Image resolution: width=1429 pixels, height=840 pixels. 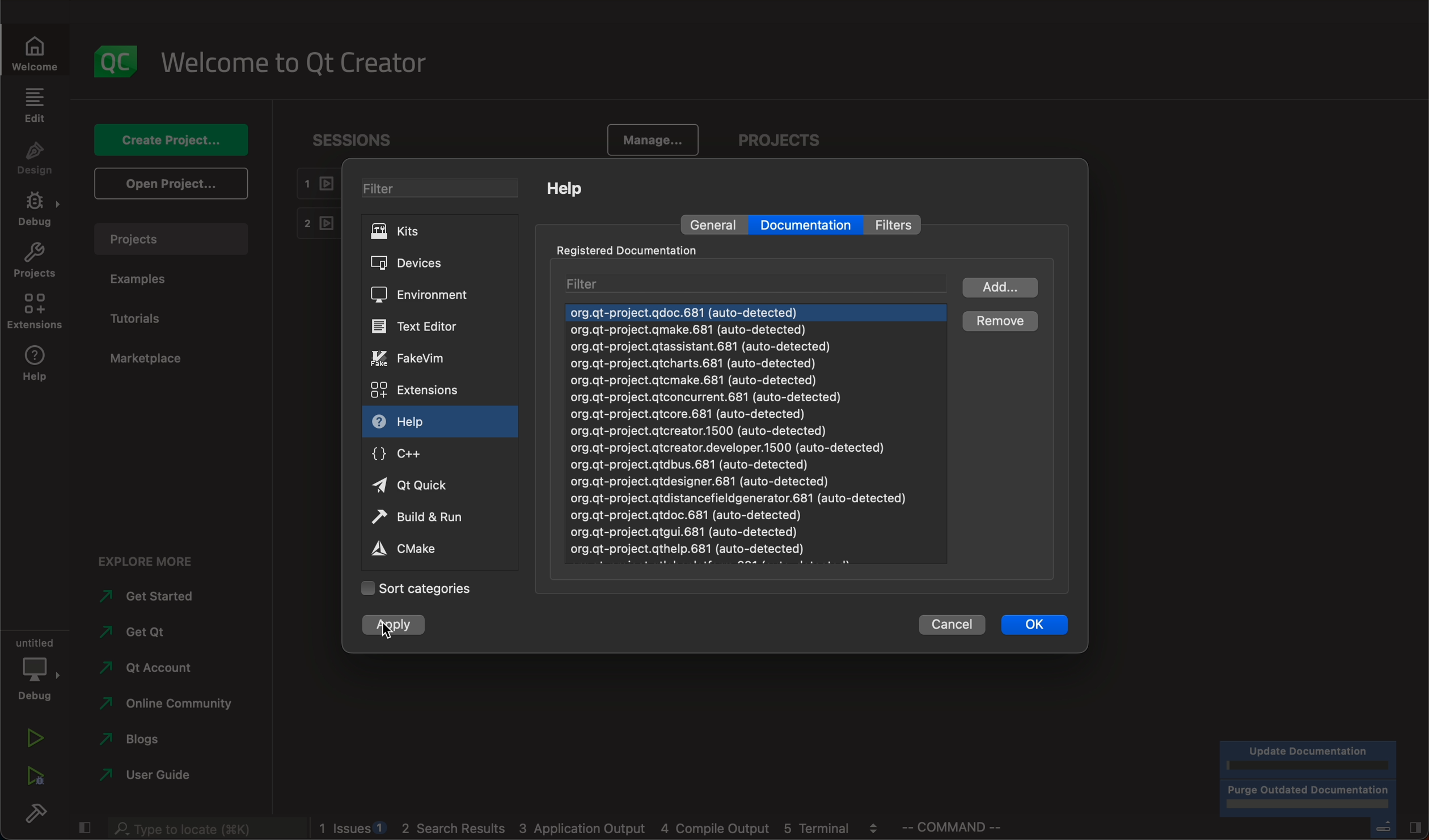 What do you see at coordinates (426, 327) in the screenshot?
I see `text` at bounding box center [426, 327].